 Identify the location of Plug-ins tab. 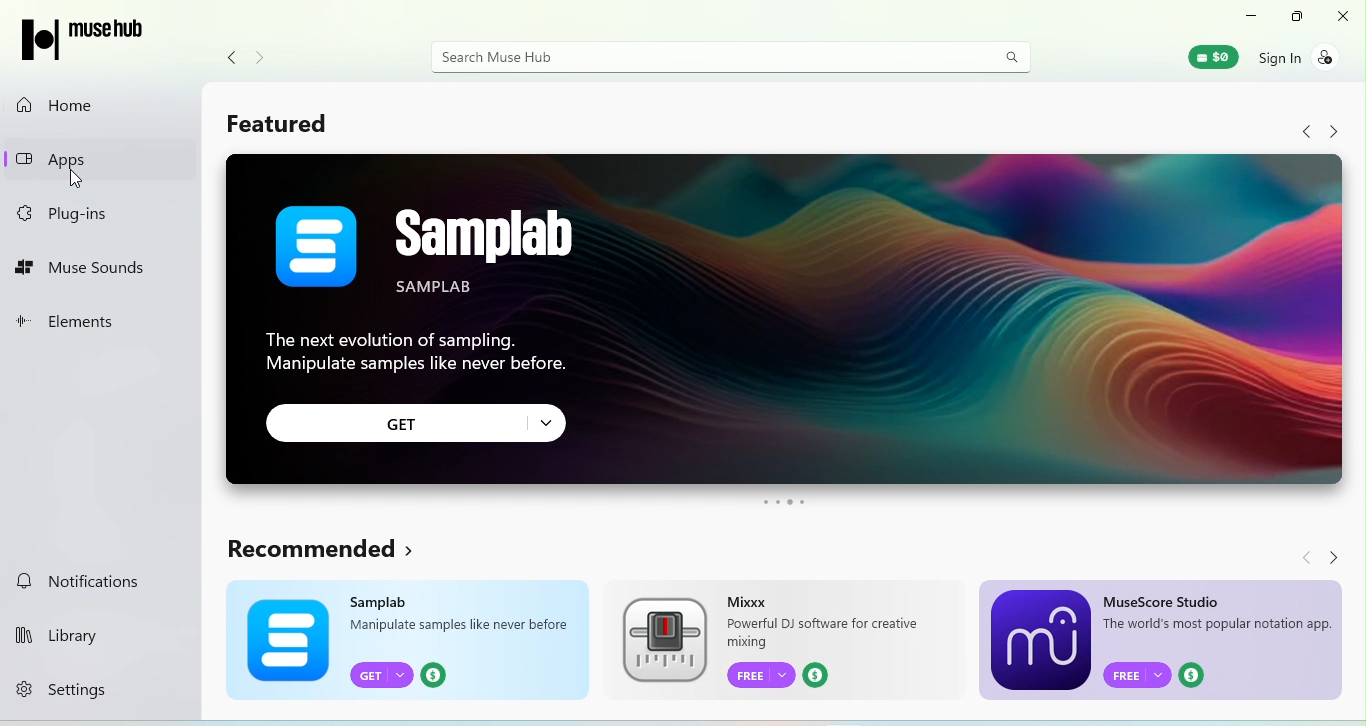
(80, 214).